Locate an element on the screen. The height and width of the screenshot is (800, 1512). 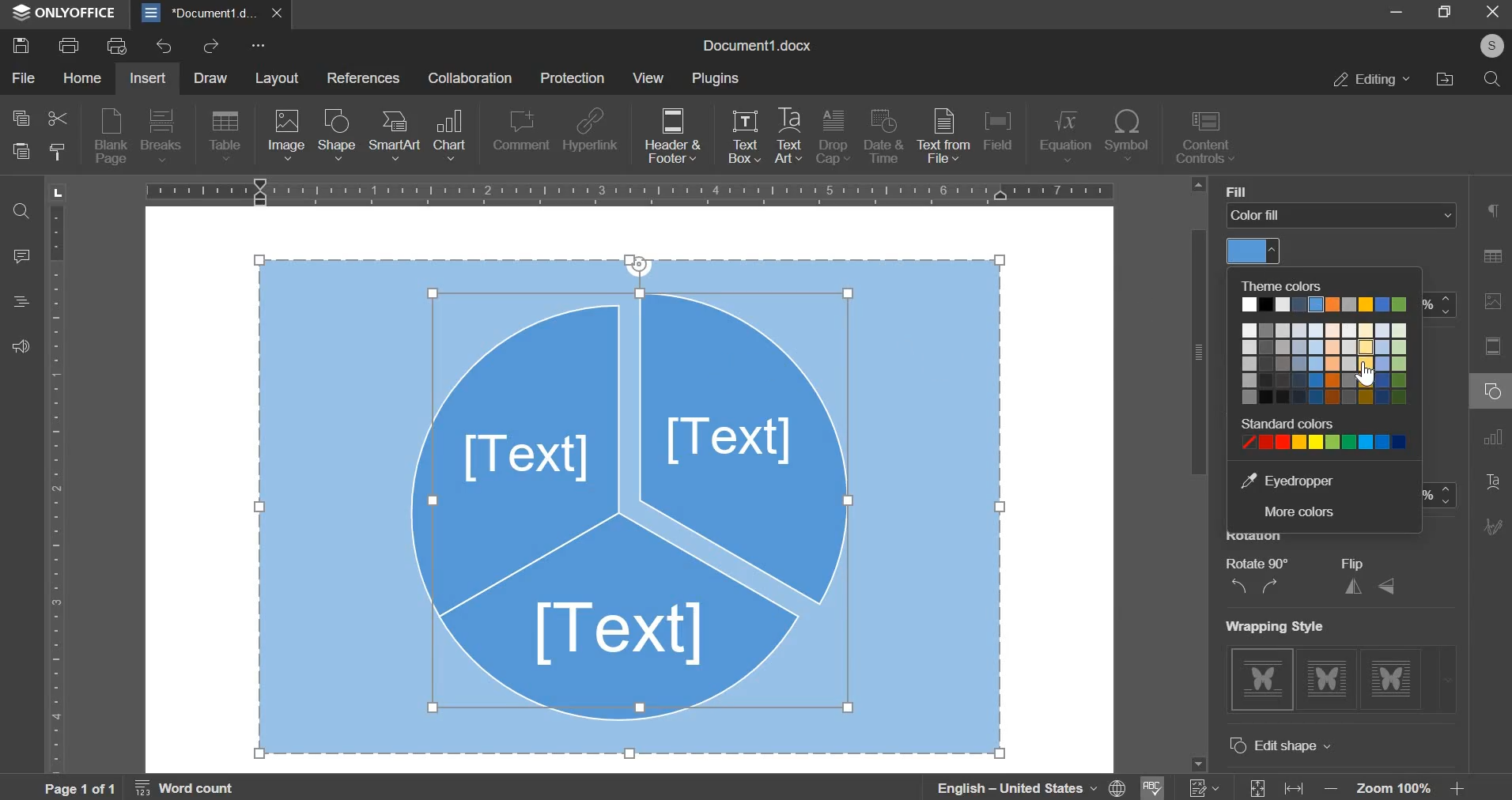
eyedropper is located at coordinates (1299, 479).